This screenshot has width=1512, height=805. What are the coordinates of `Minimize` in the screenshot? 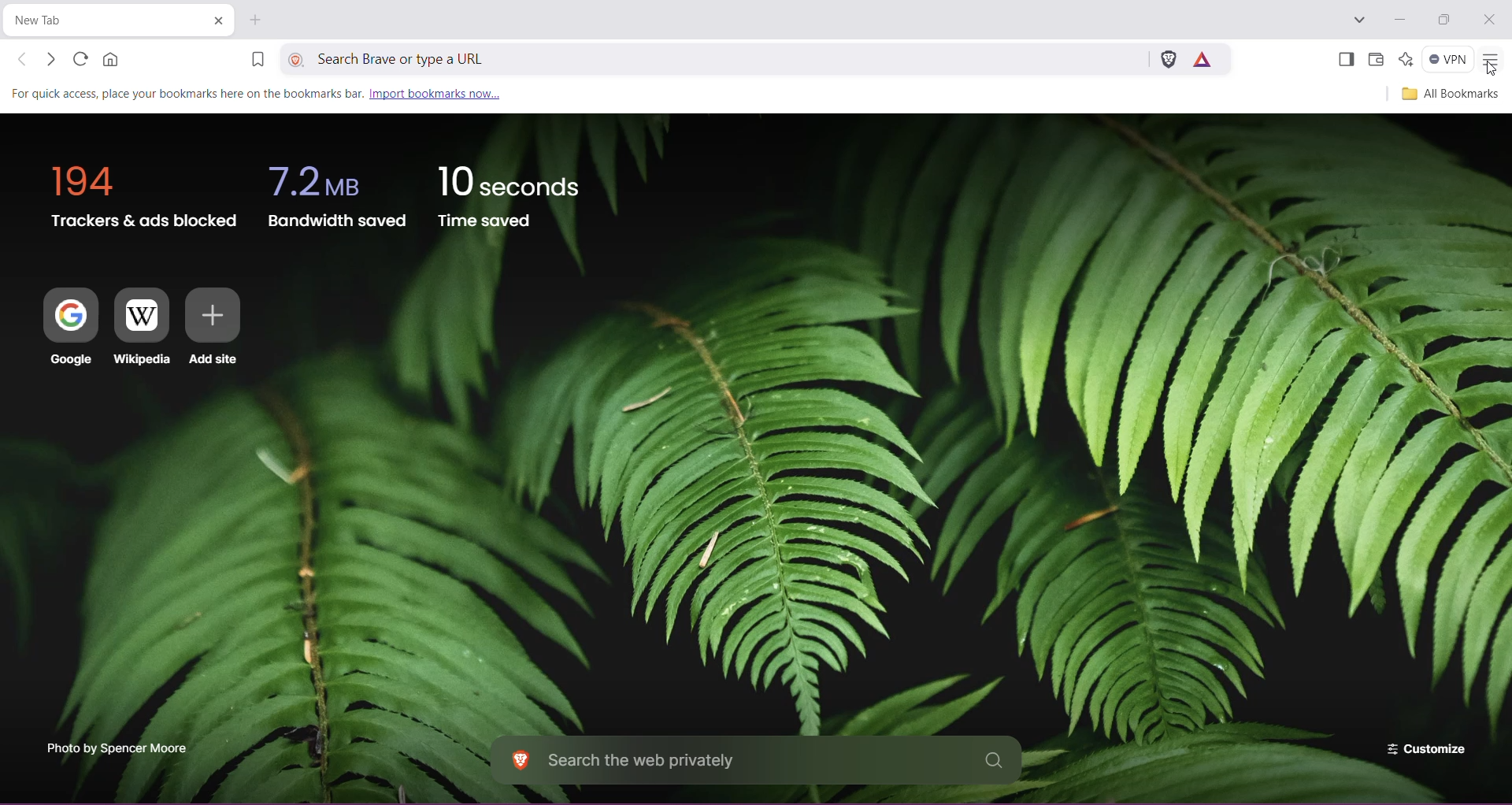 It's located at (1400, 20).